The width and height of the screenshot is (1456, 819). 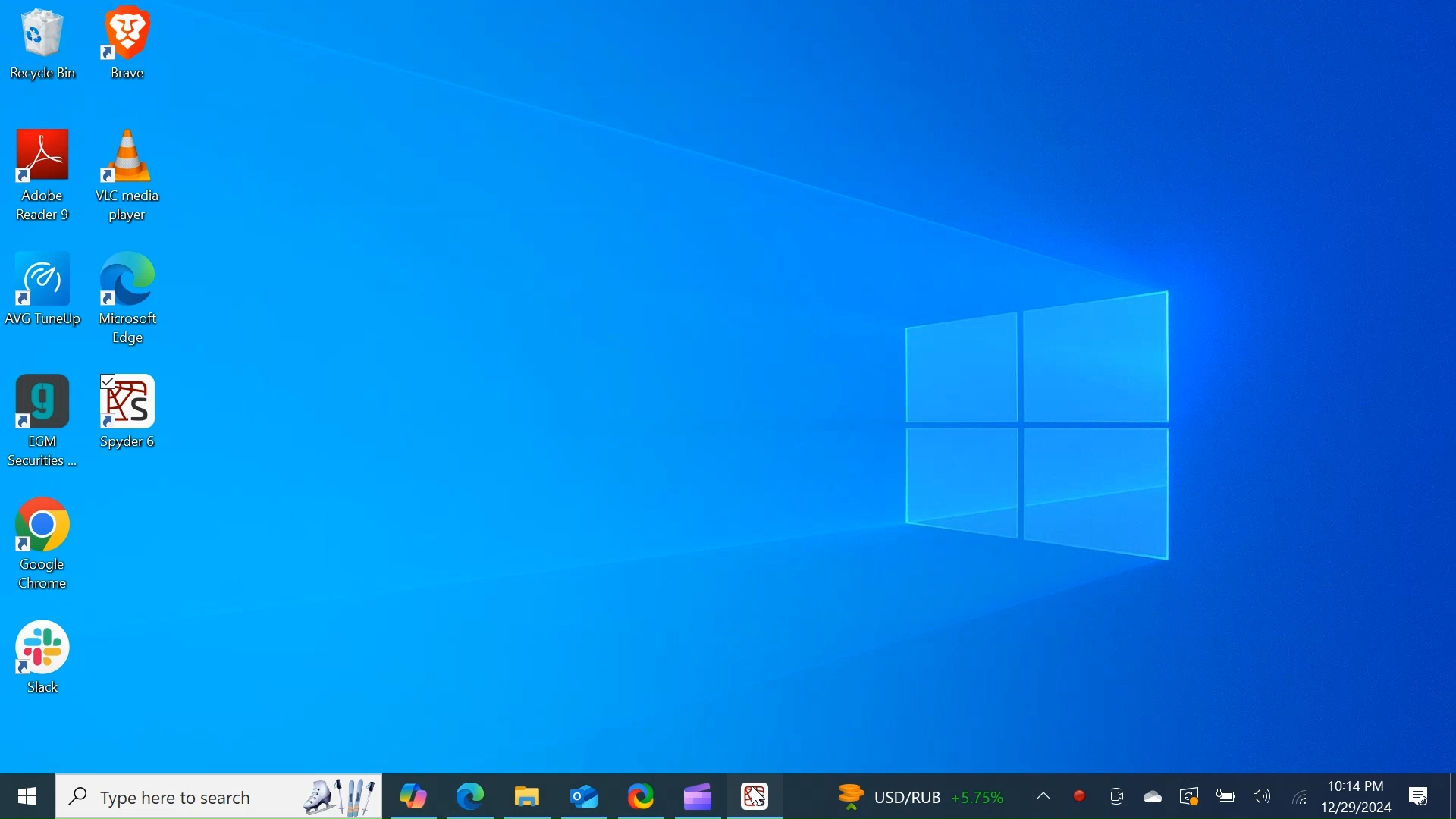 What do you see at coordinates (26, 797) in the screenshot?
I see `Windows` at bounding box center [26, 797].